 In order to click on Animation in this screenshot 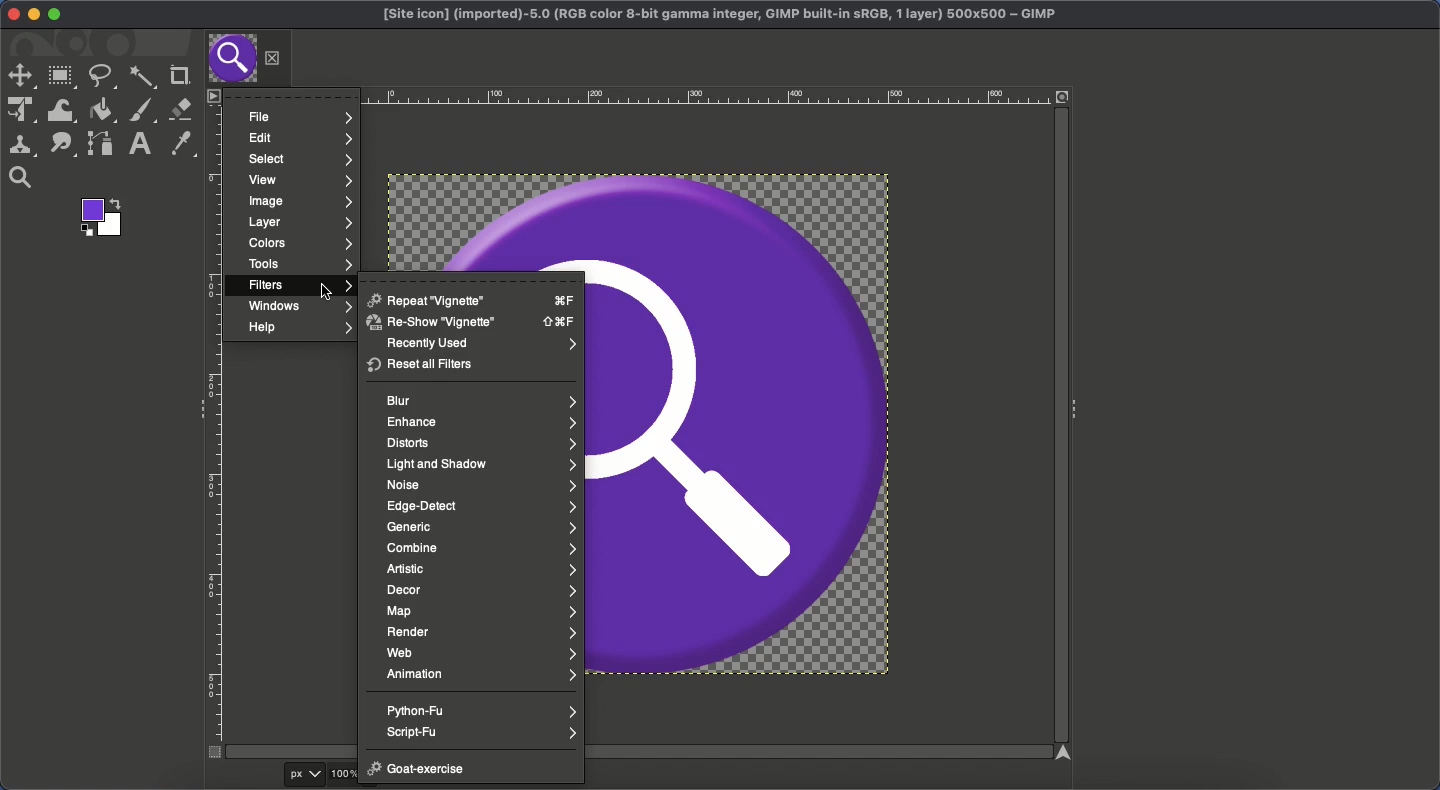, I will do `click(481, 674)`.